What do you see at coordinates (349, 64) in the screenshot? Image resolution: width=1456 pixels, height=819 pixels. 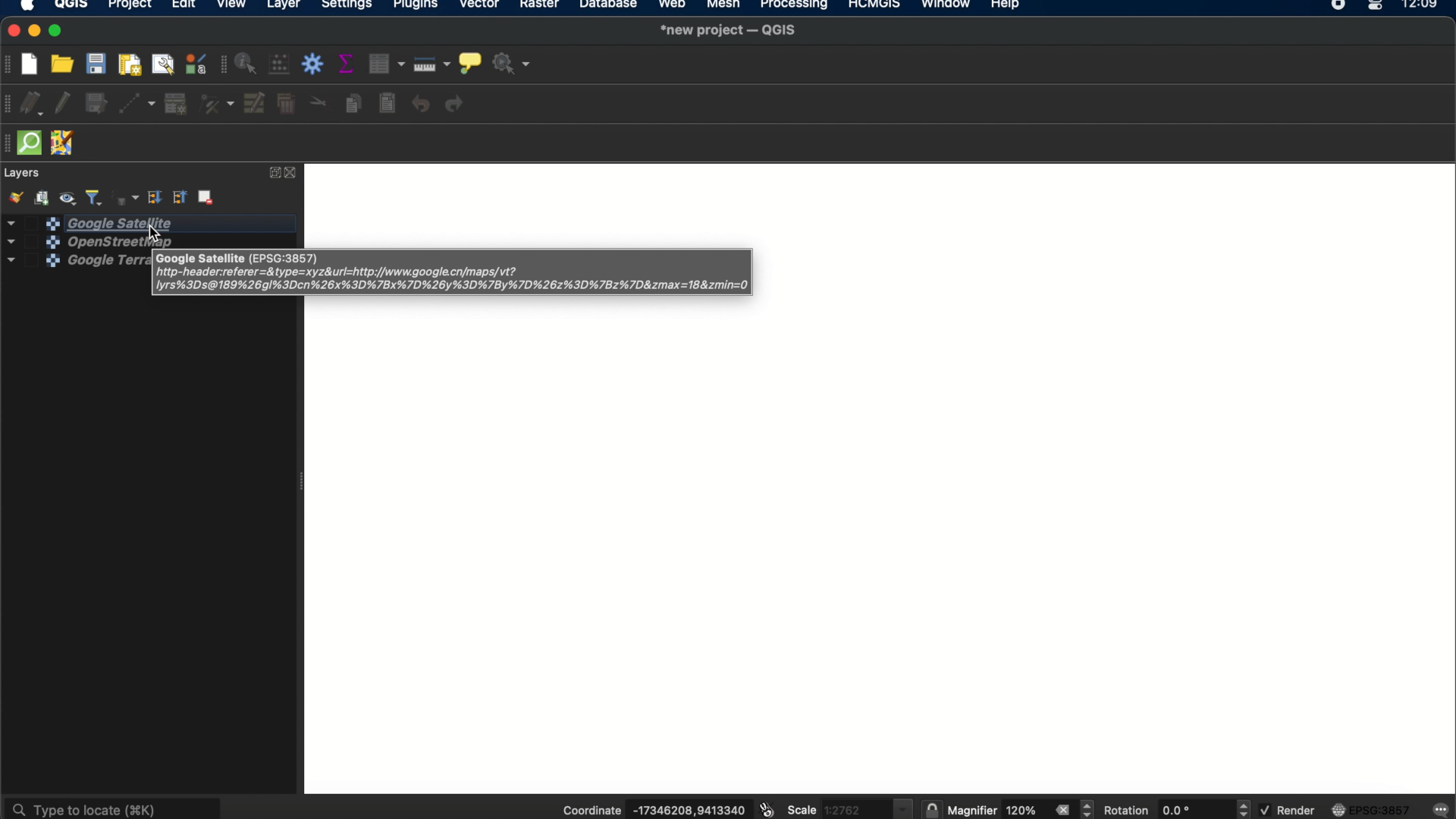 I see `show summary statistics` at bounding box center [349, 64].